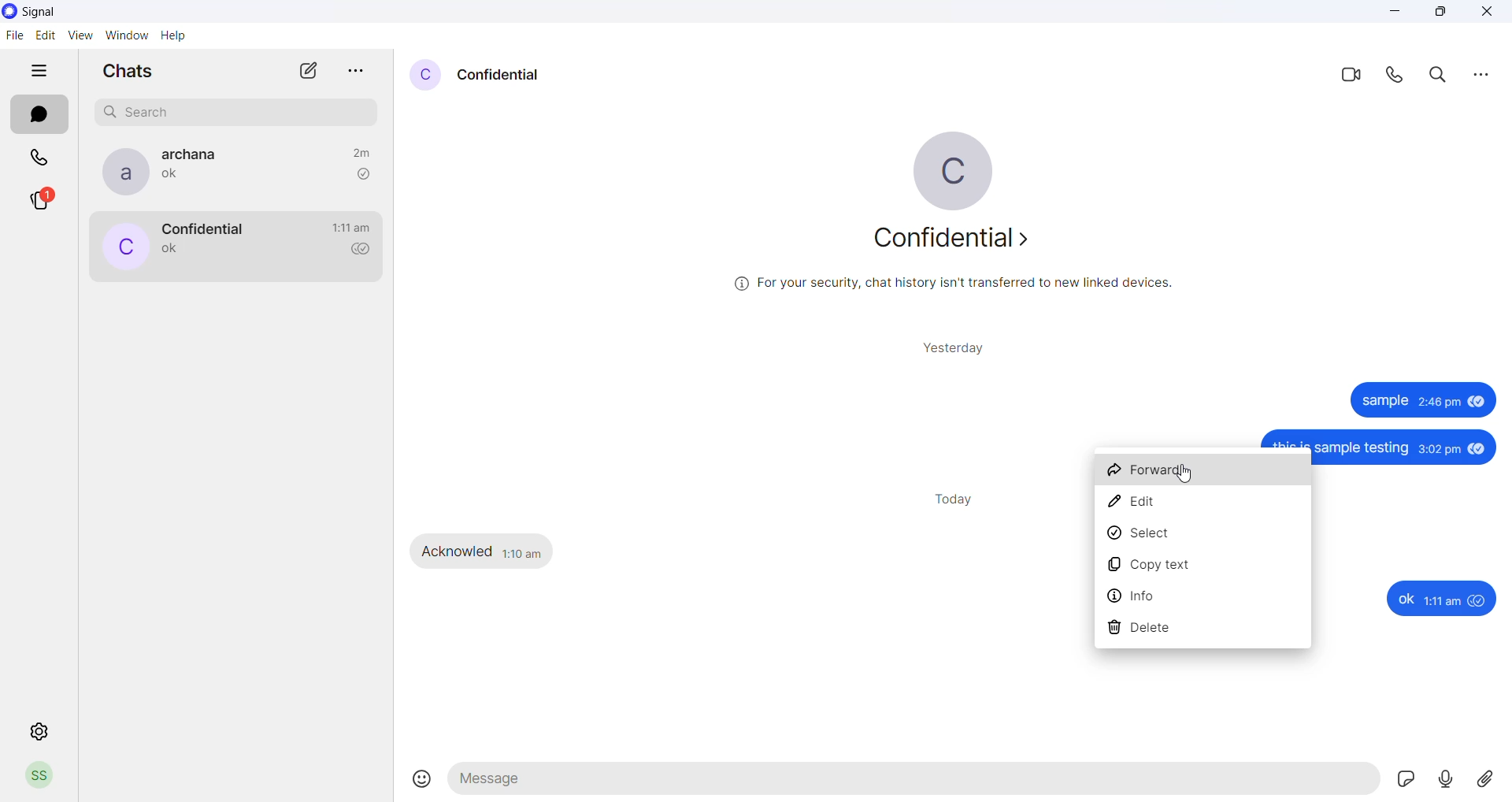 The image size is (1512, 802). I want to click on today messages heading, so click(951, 497).